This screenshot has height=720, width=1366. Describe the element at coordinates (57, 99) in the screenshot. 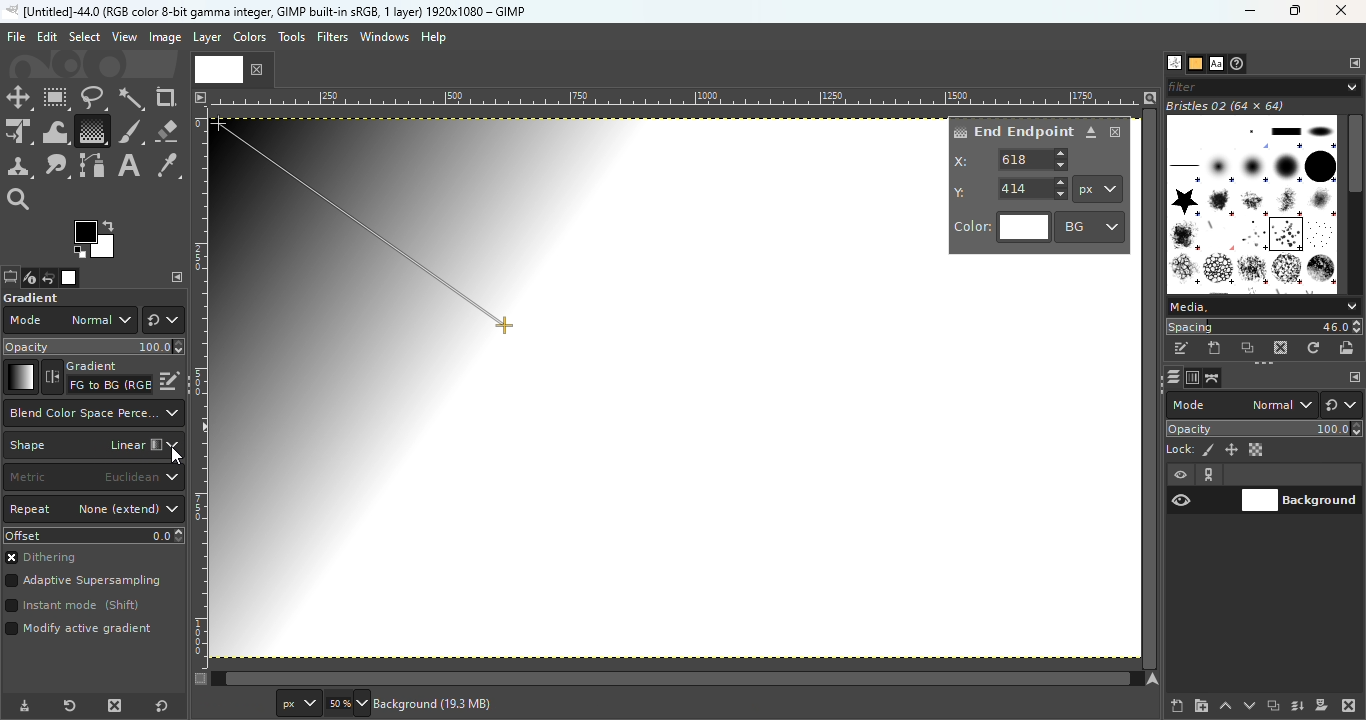

I see `Rectangle select tool` at that location.